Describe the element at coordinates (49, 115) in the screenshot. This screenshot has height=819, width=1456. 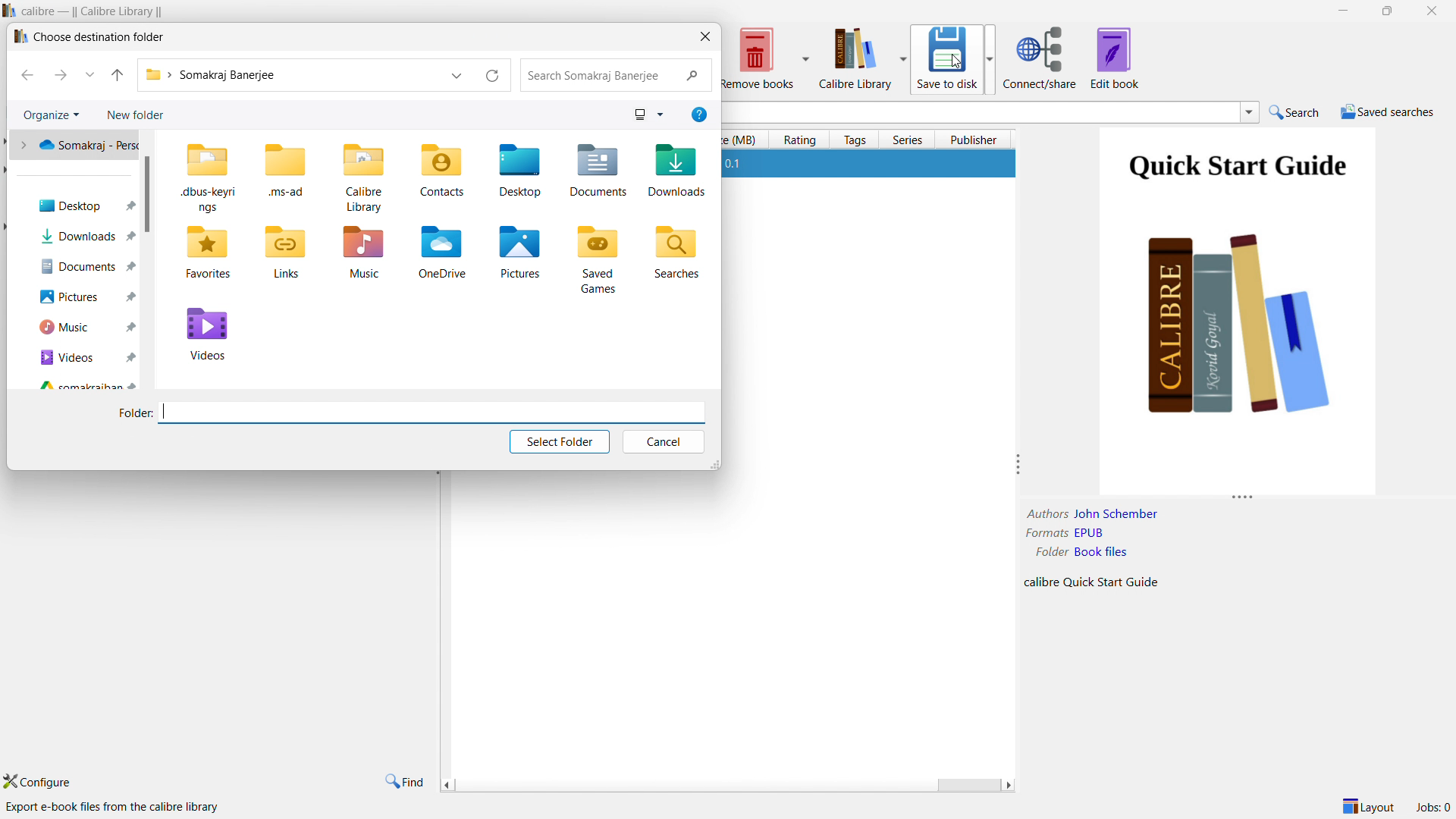
I see `organize` at that location.